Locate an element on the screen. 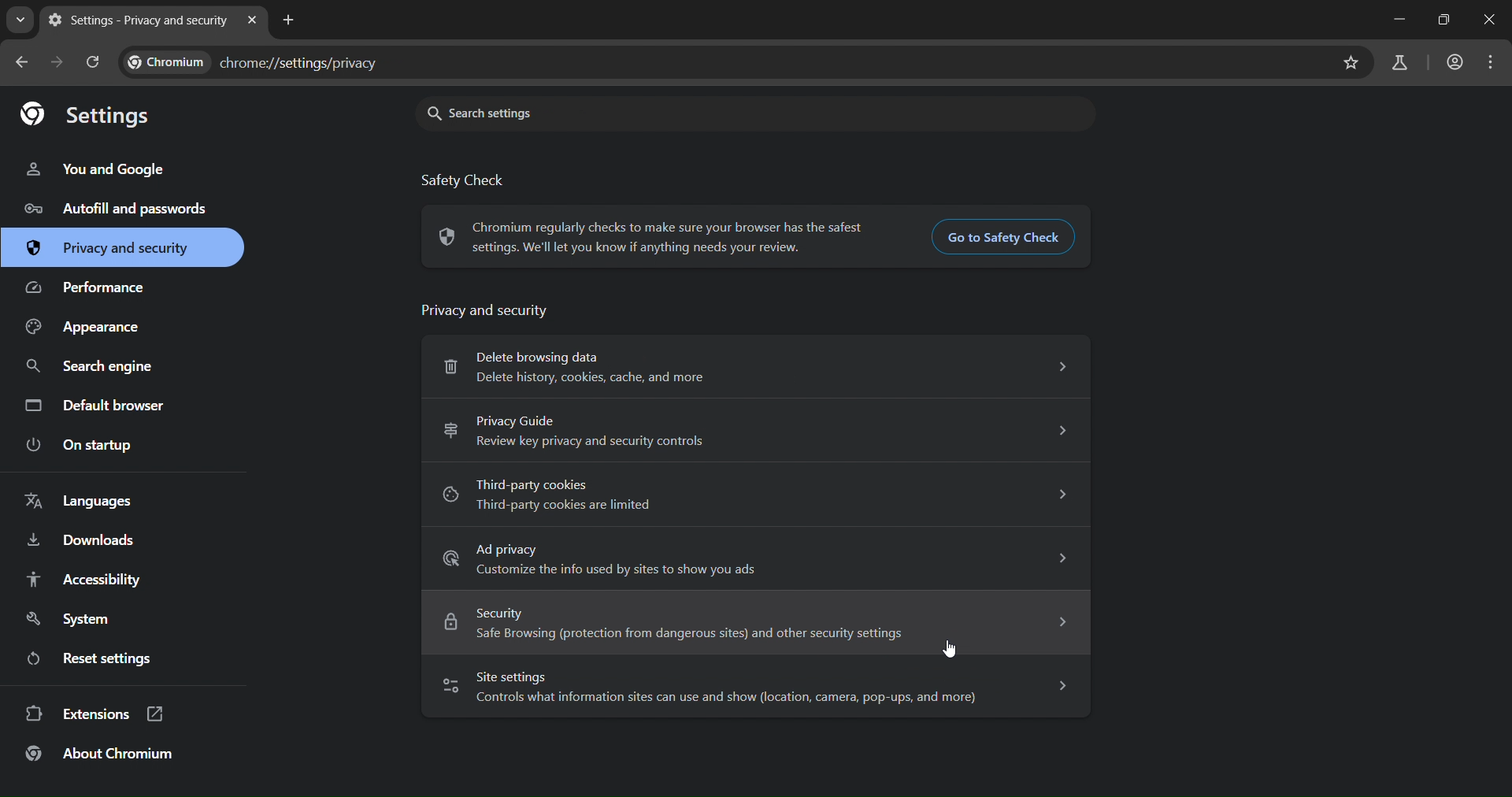  Third-party cookies
Third-party cookies are limited is located at coordinates (754, 496).